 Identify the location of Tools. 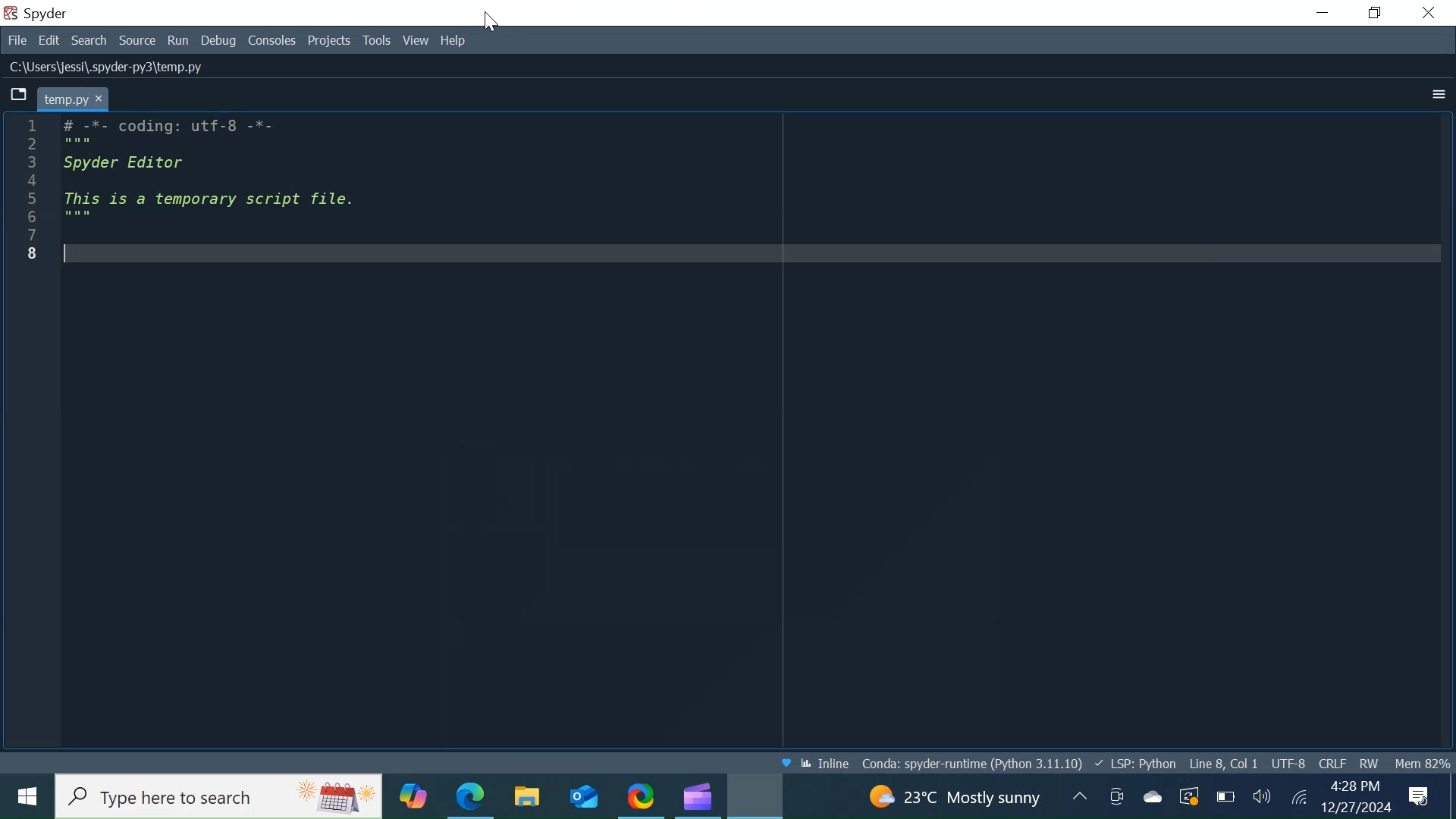
(376, 42).